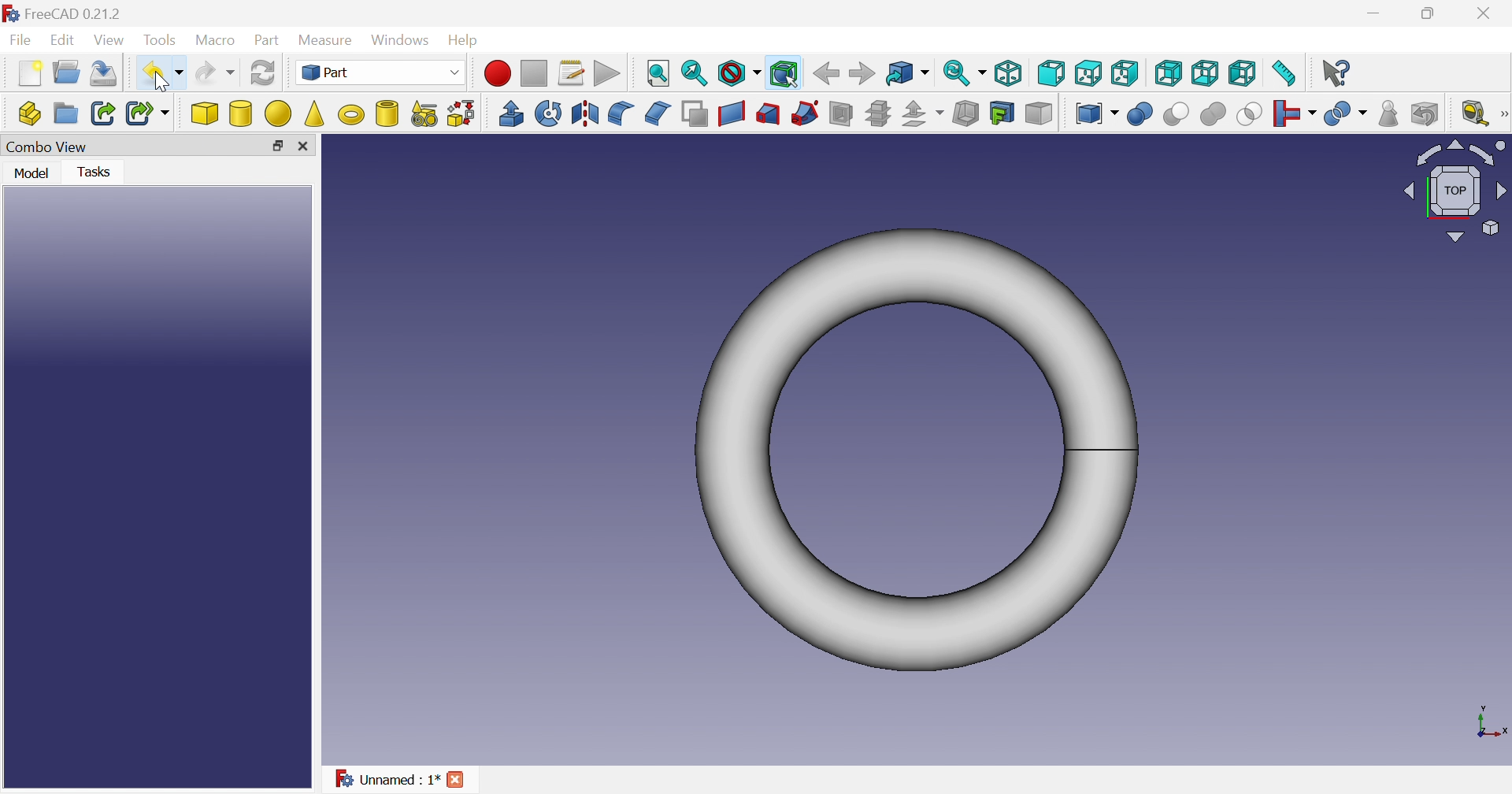 The width and height of the screenshot is (1512, 794). I want to click on Viewing angle, so click(1456, 189).